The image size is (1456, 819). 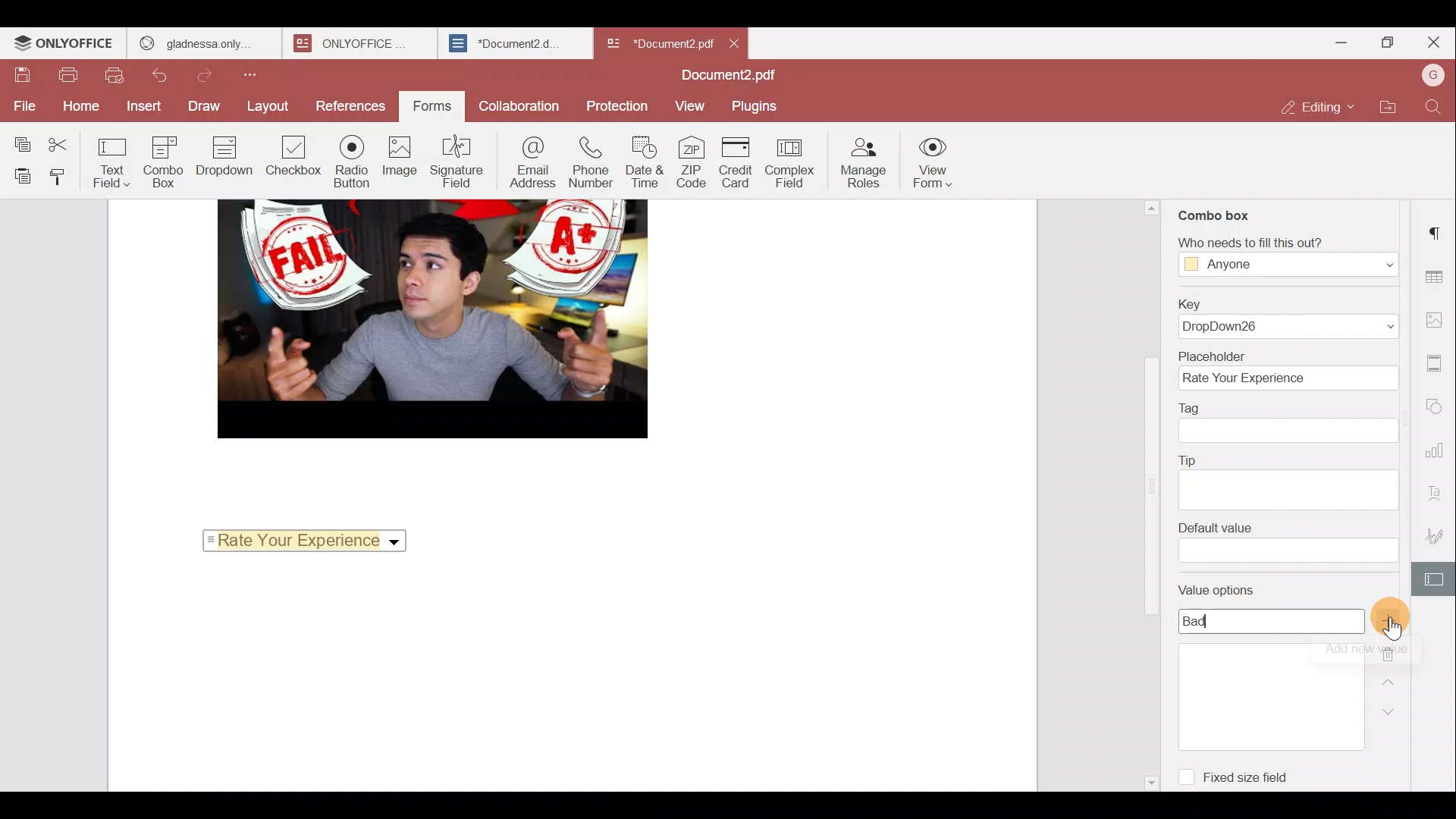 What do you see at coordinates (23, 76) in the screenshot?
I see `Save` at bounding box center [23, 76].